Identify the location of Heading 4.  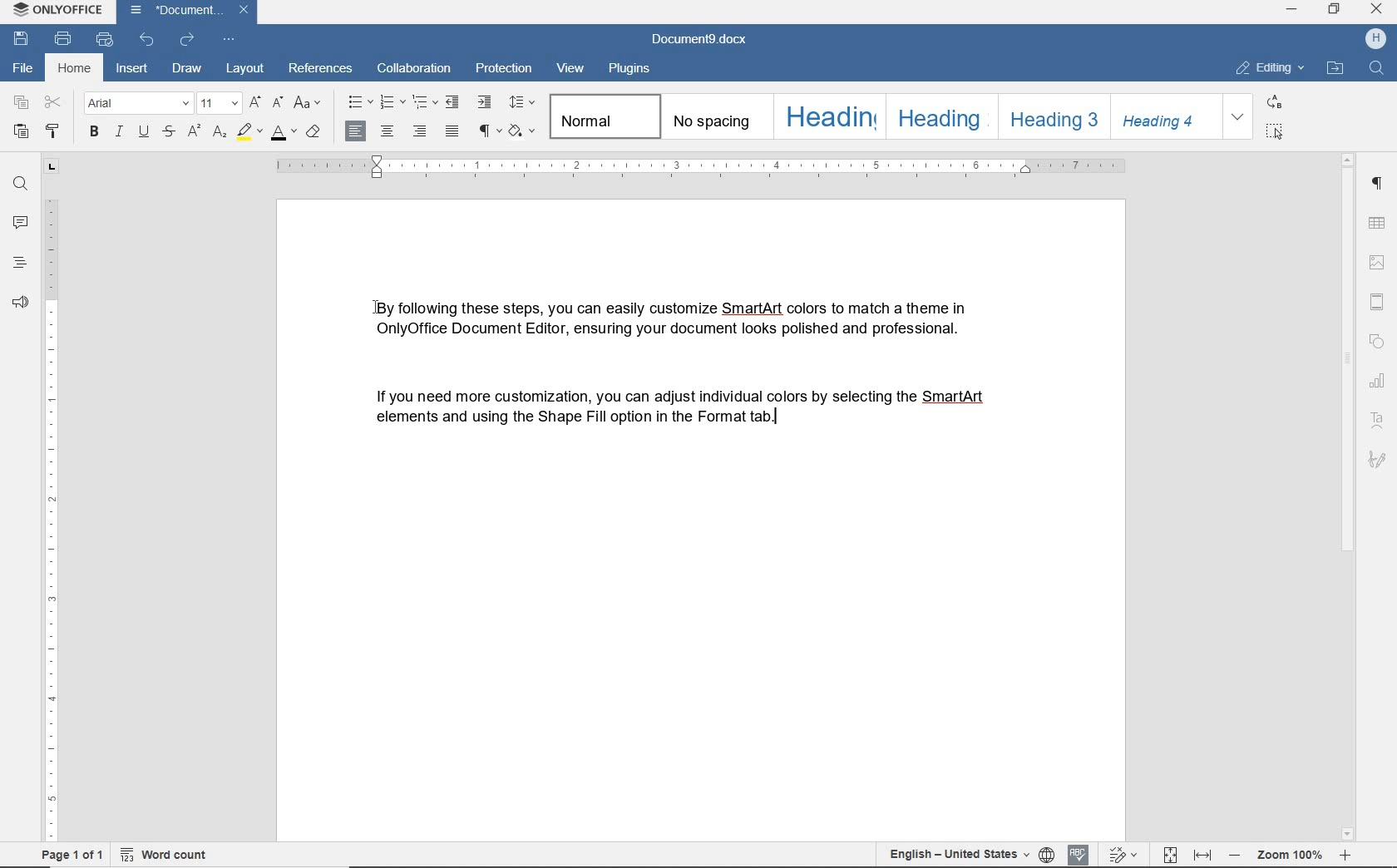
(1166, 117).